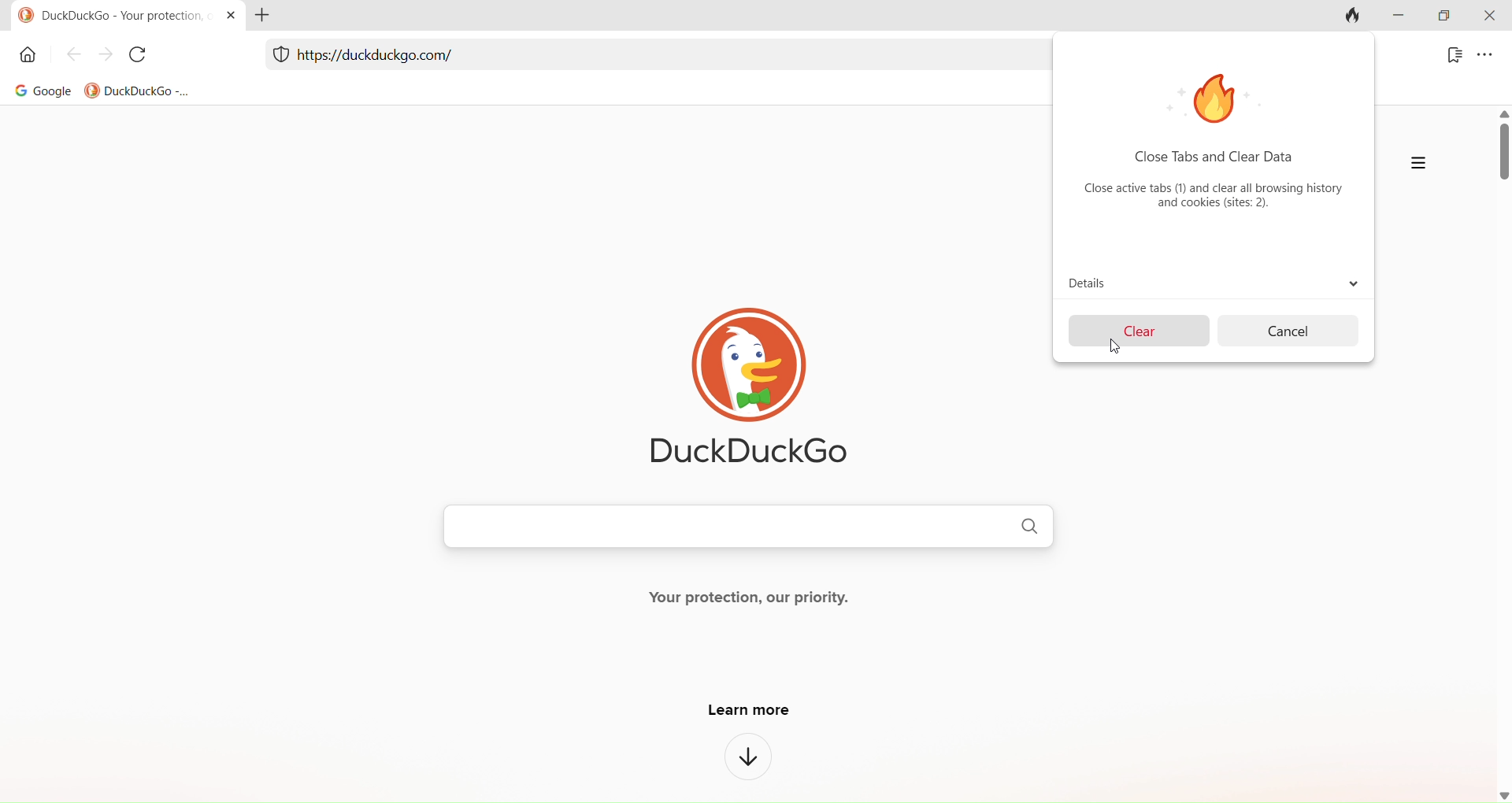  Describe the element at coordinates (106, 54) in the screenshot. I see `forward` at that location.